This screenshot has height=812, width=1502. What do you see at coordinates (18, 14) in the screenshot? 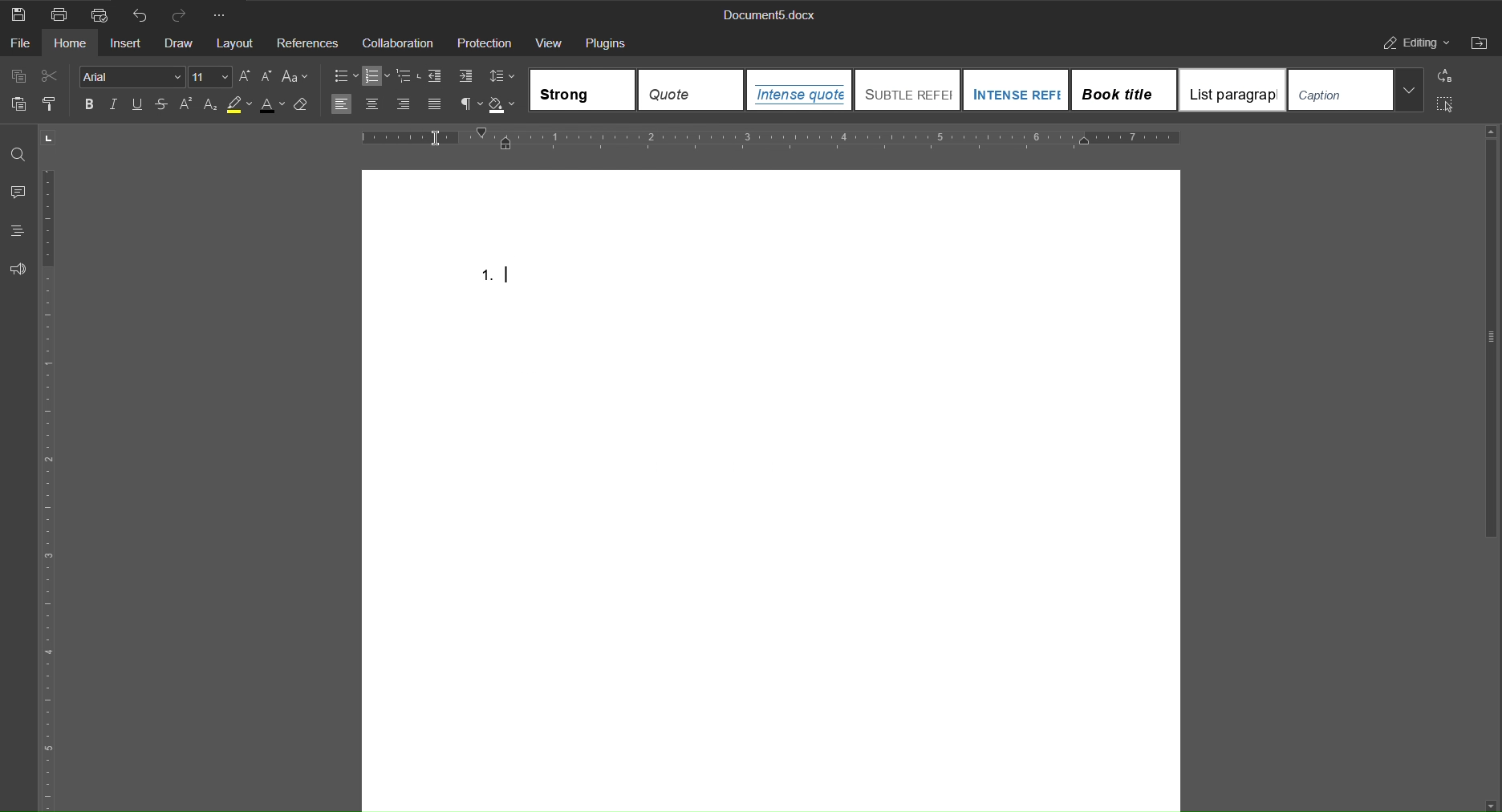
I see `Save` at bounding box center [18, 14].